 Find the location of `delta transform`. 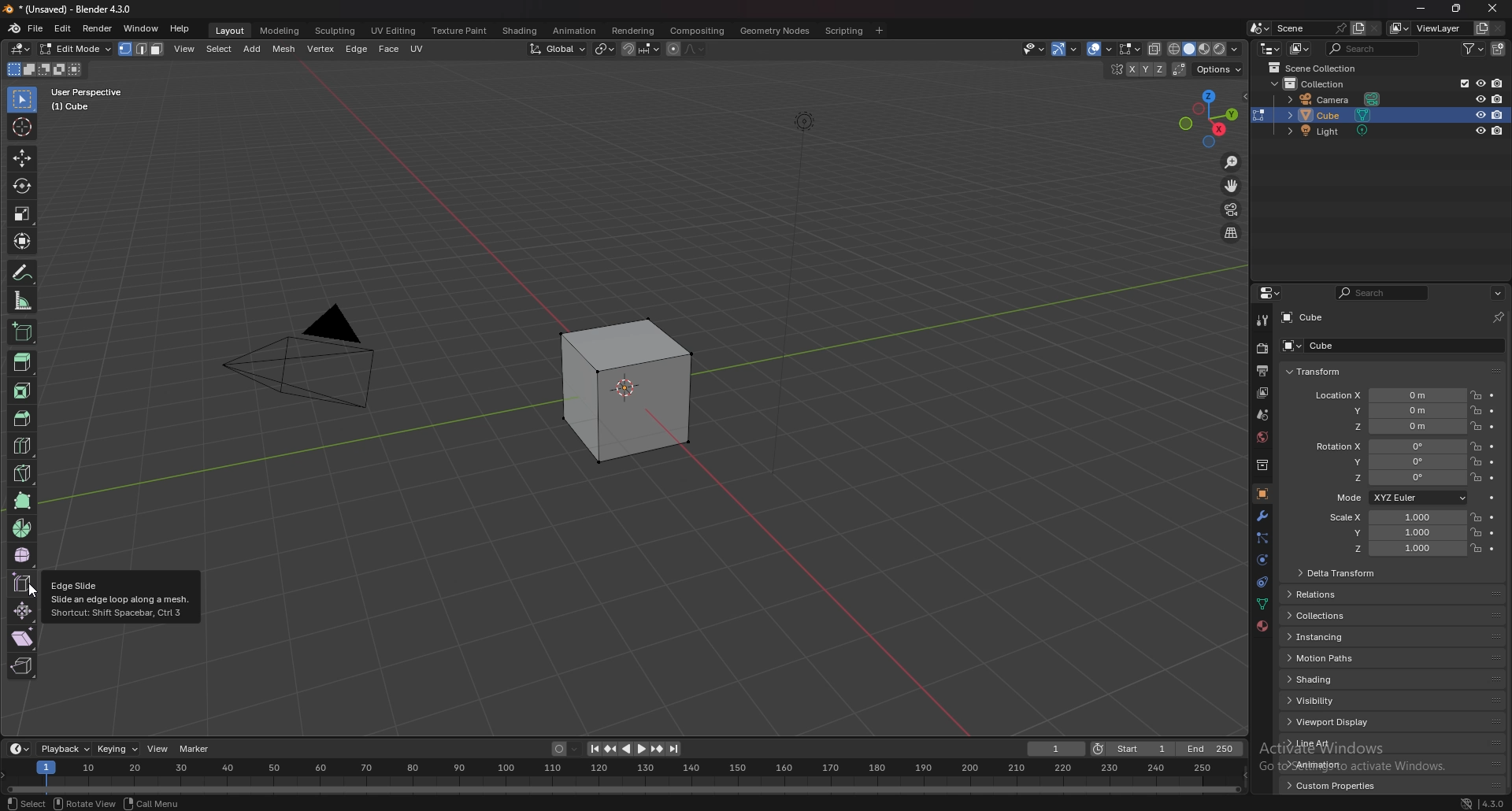

delta transform is located at coordinates (1338, 573).